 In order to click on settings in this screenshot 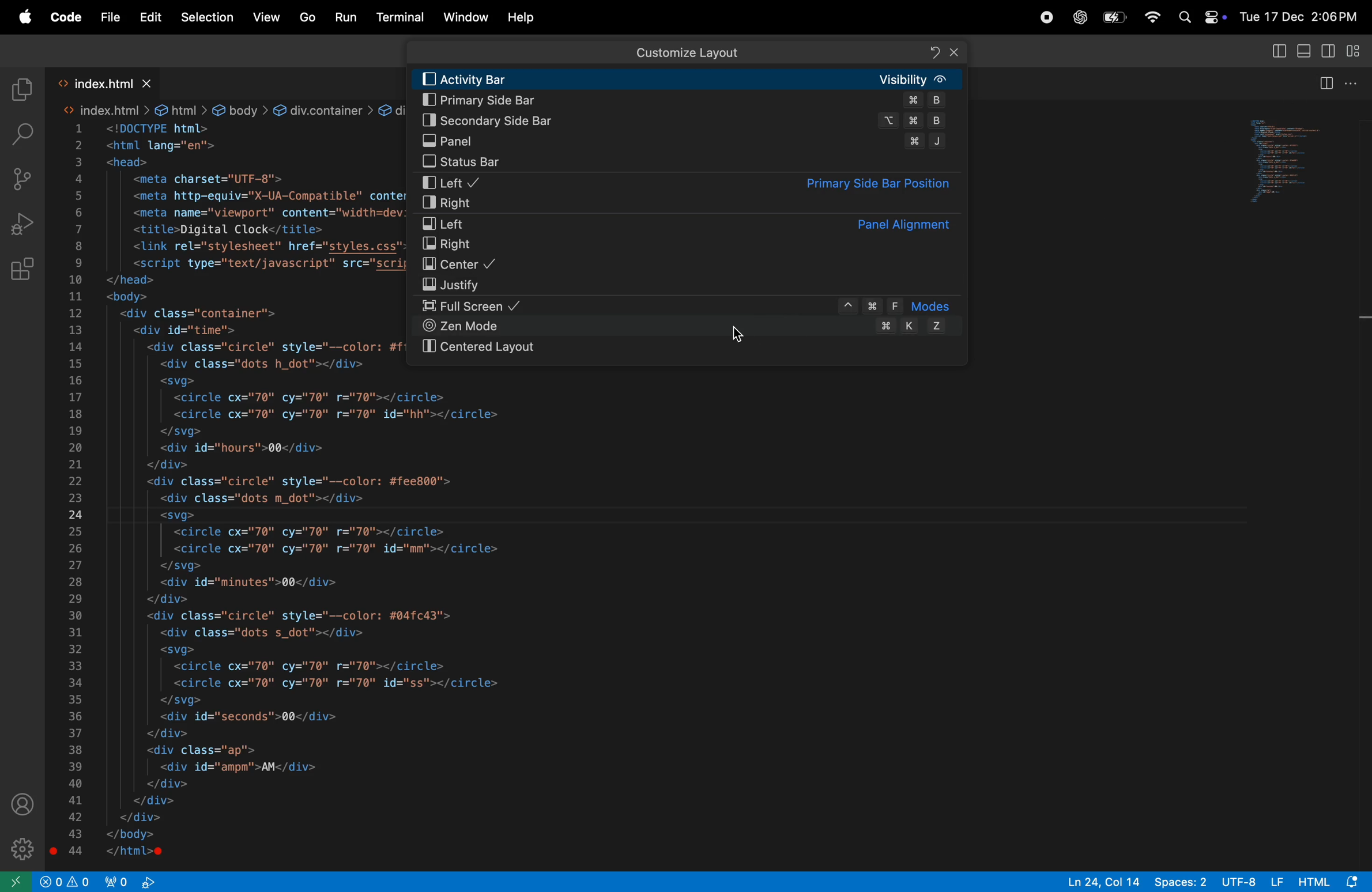, I will do `click(22, 846)`.